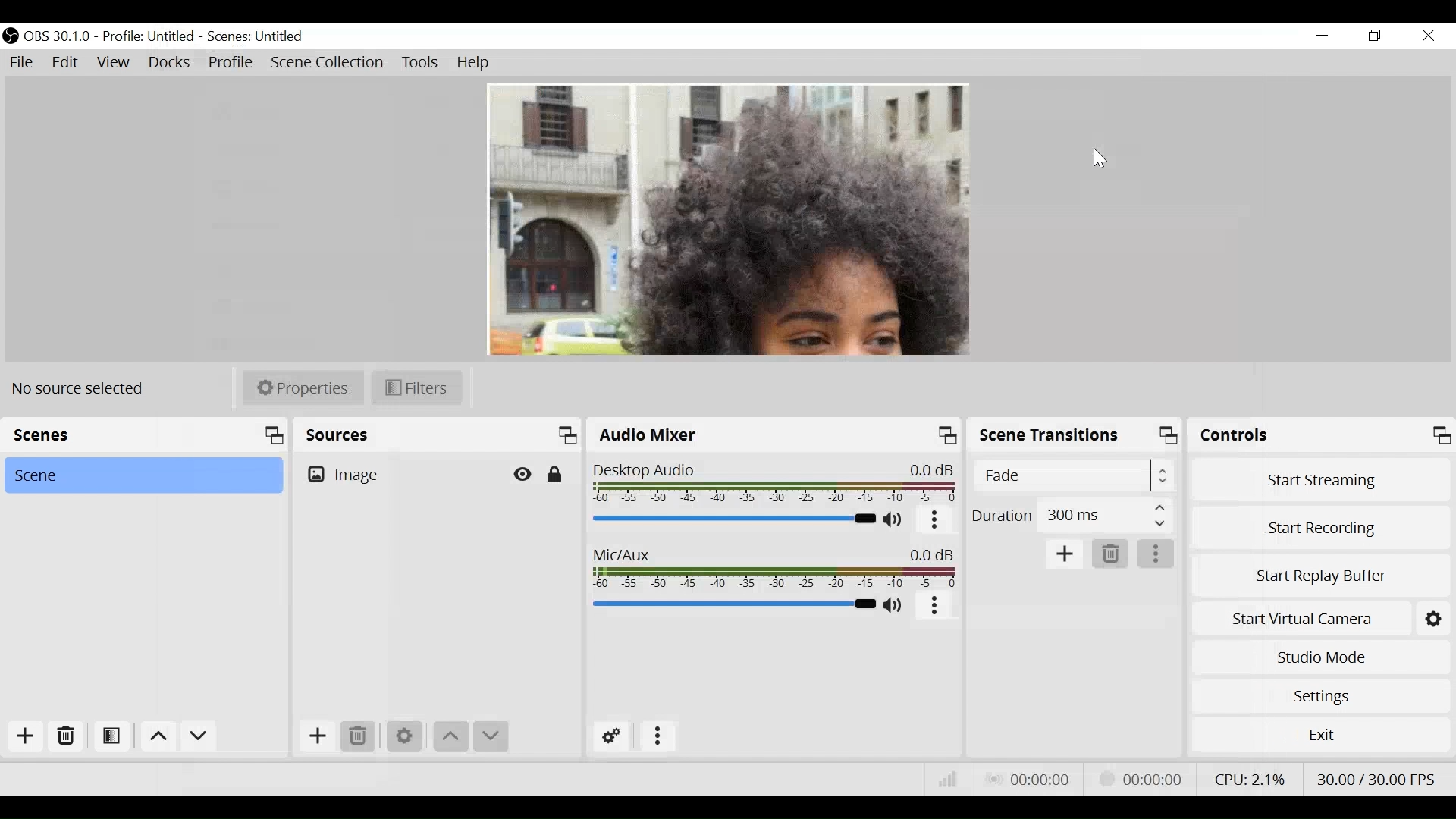  What do you see at coordinates (10, 33) in the screenshot?
I see `OBS Studio Desktop Icon` at bounding box center [10, 33].